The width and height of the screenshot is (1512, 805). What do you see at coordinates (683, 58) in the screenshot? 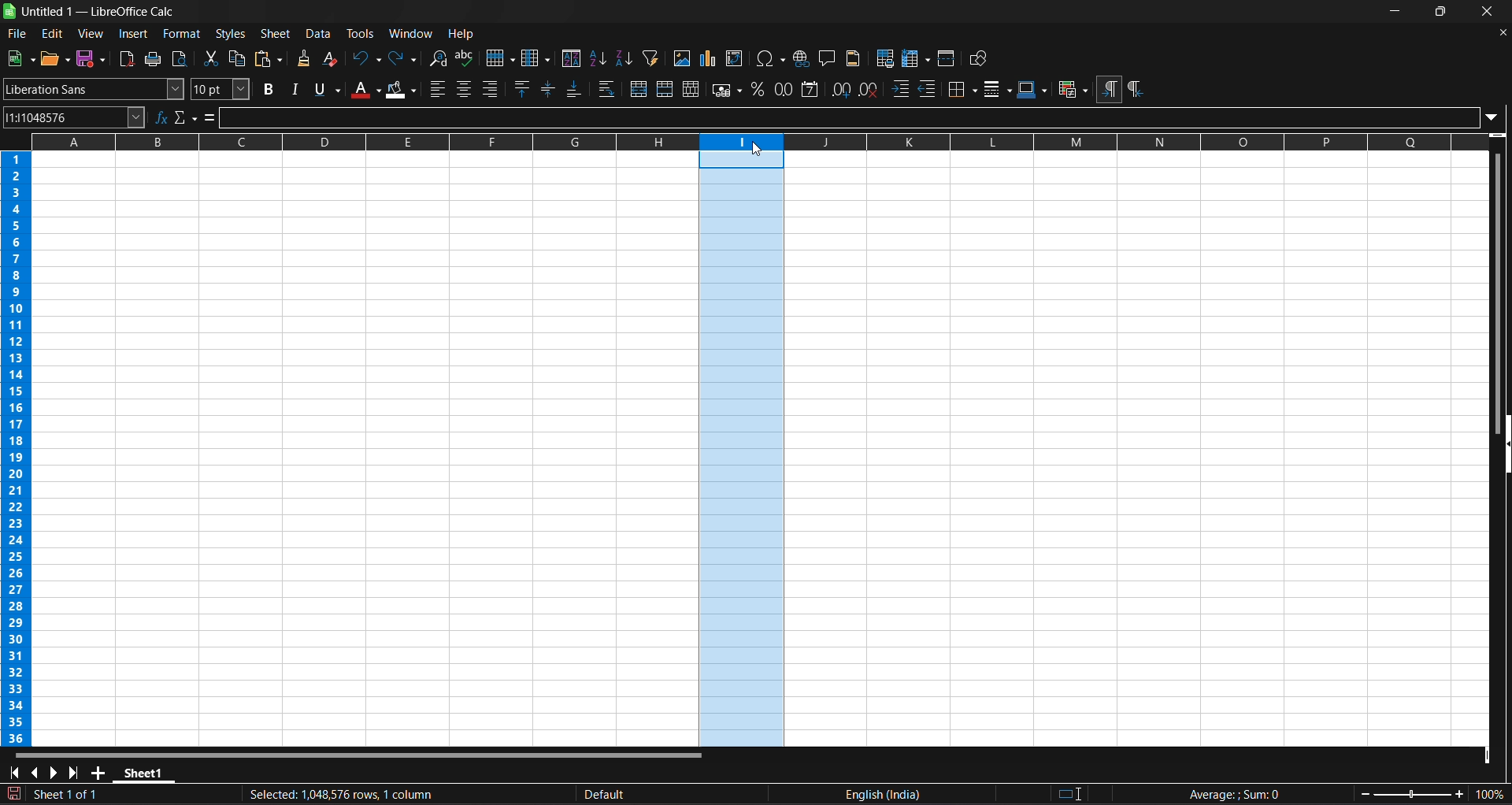
I see `insert image` at bounding box center [683, 58].